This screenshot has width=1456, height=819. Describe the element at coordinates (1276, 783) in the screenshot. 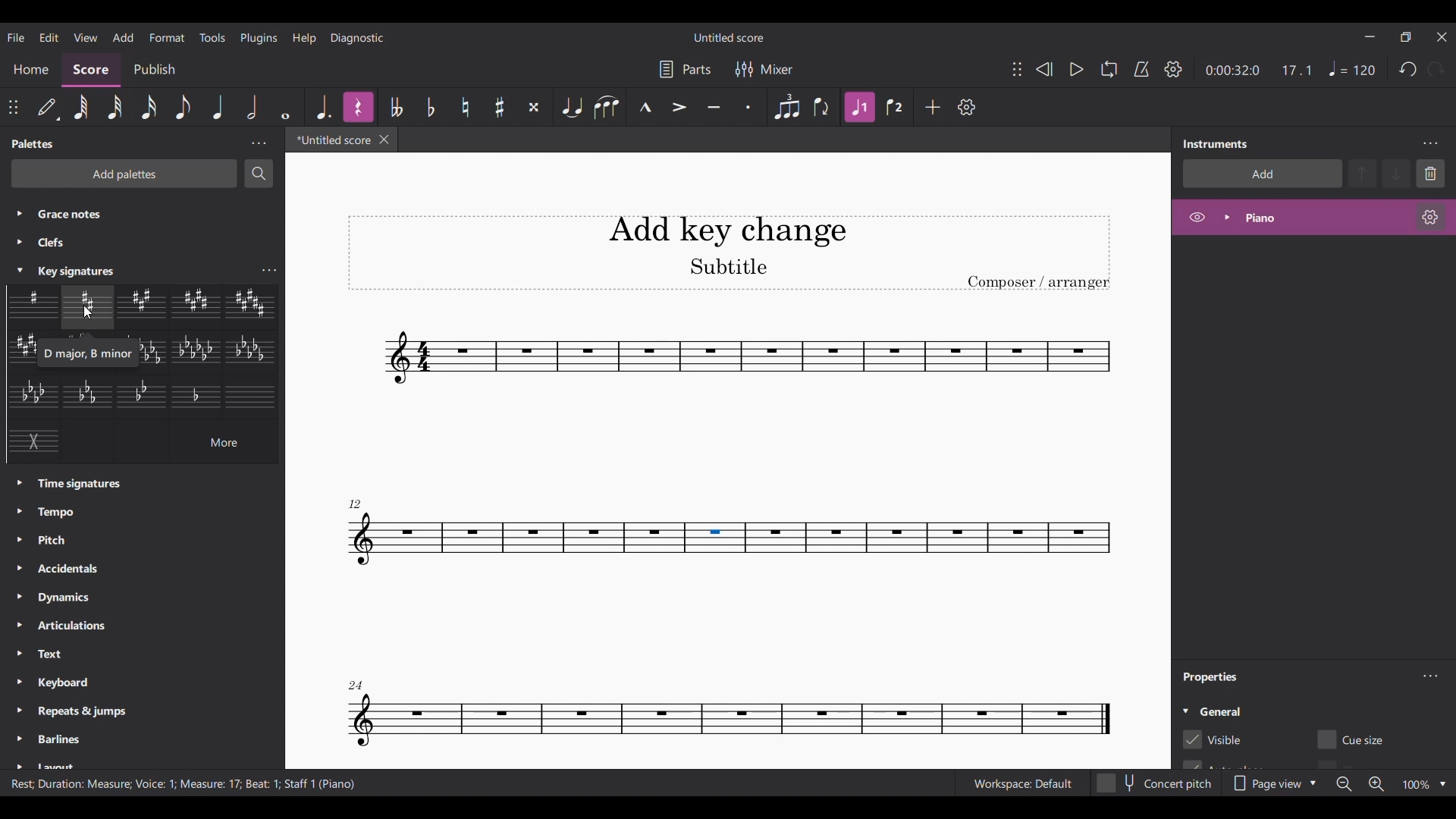

I see `Page view options` at that location.